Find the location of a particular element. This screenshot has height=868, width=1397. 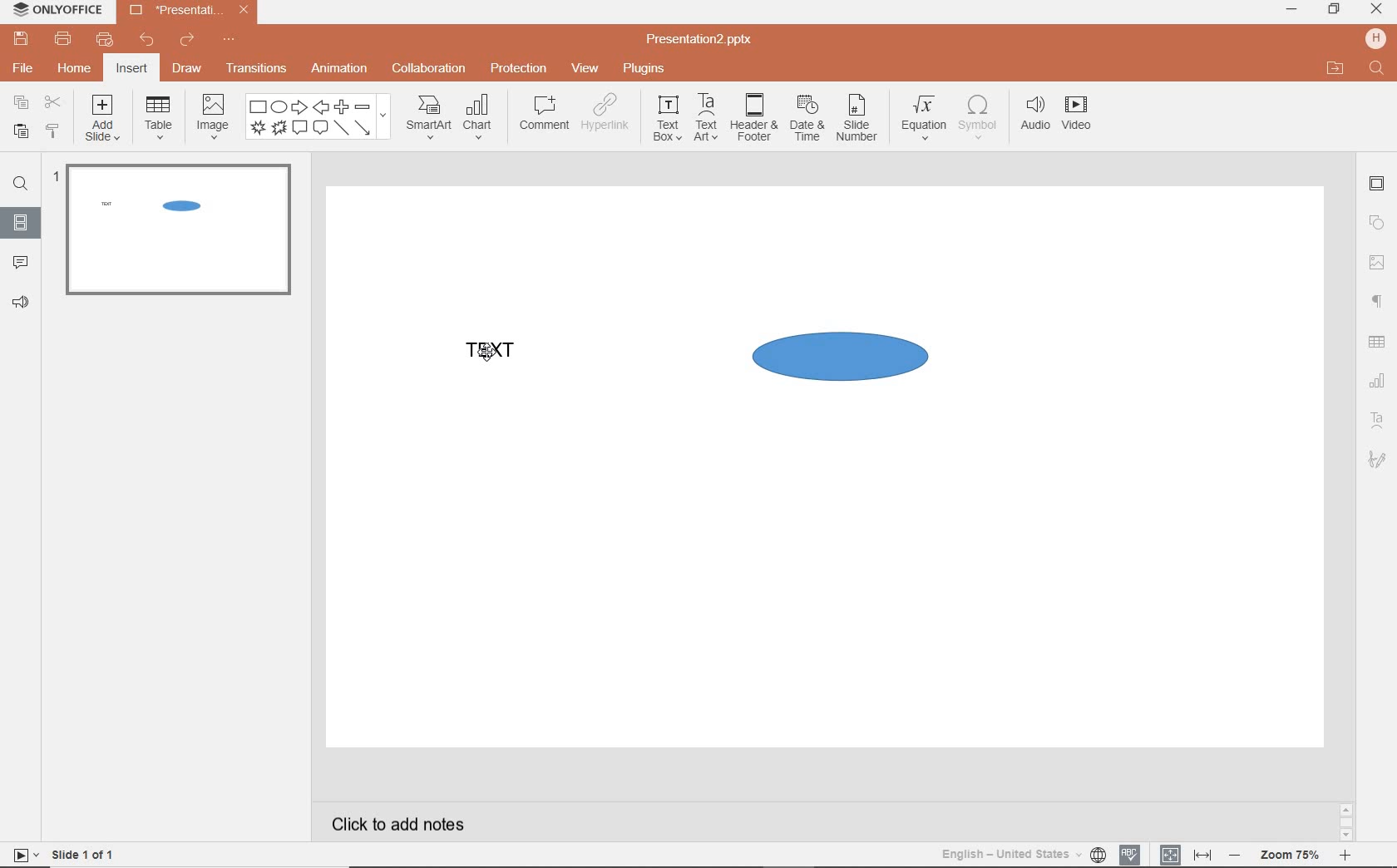

CLICK TO ADD NOTES is located at coordinates (402, 822).